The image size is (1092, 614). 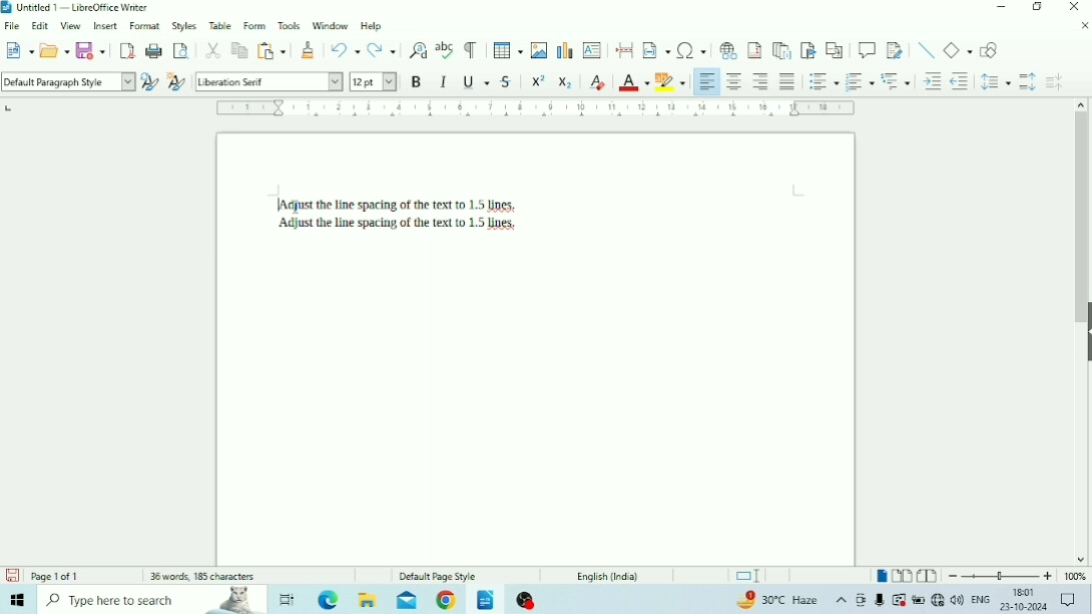 What do you see at coordinates (1000, 575) in the screenshot?
I see `Zoom Out/In` at bounding box center [1000, 575].